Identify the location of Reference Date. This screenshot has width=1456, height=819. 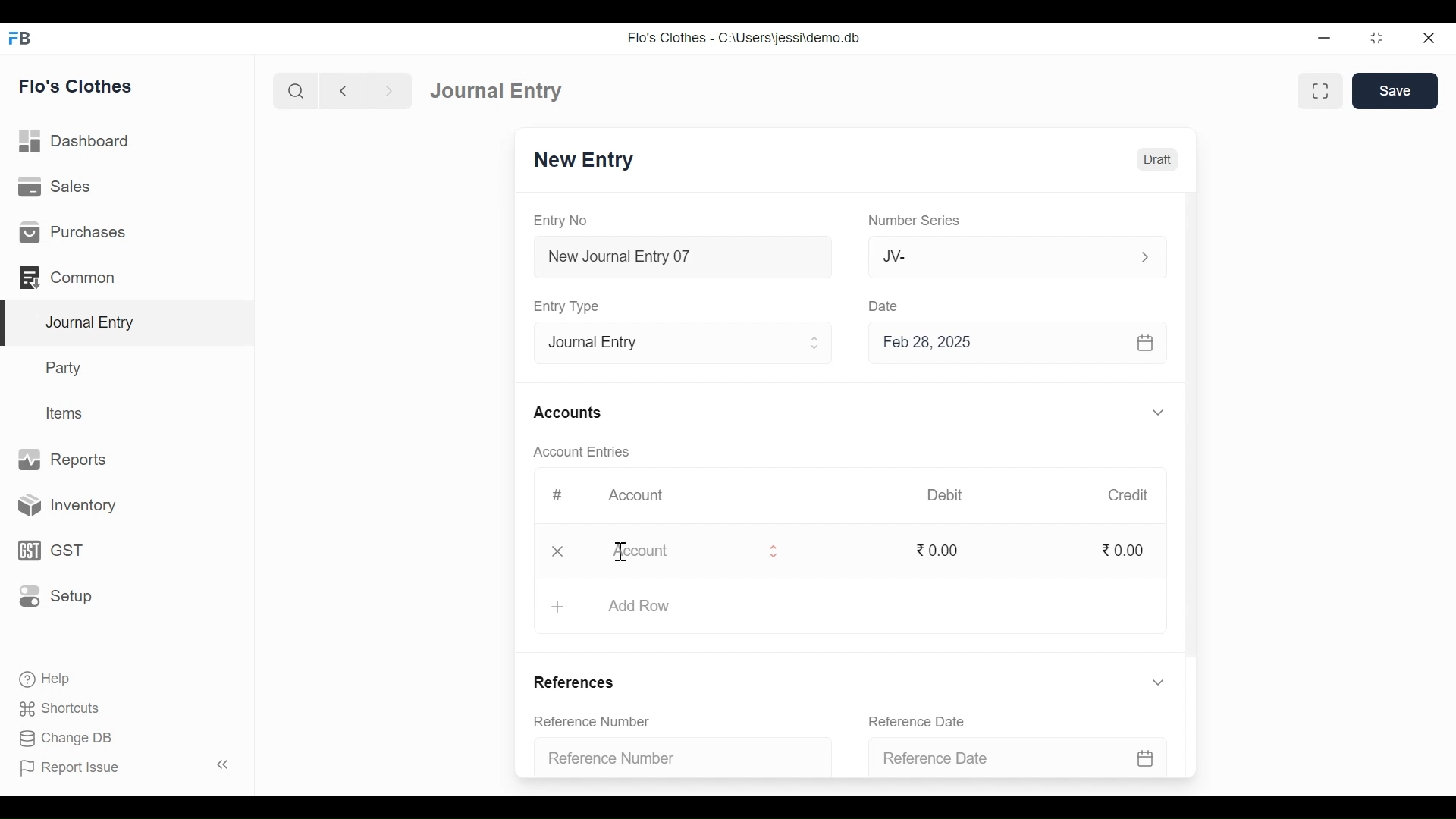
(916, 720).